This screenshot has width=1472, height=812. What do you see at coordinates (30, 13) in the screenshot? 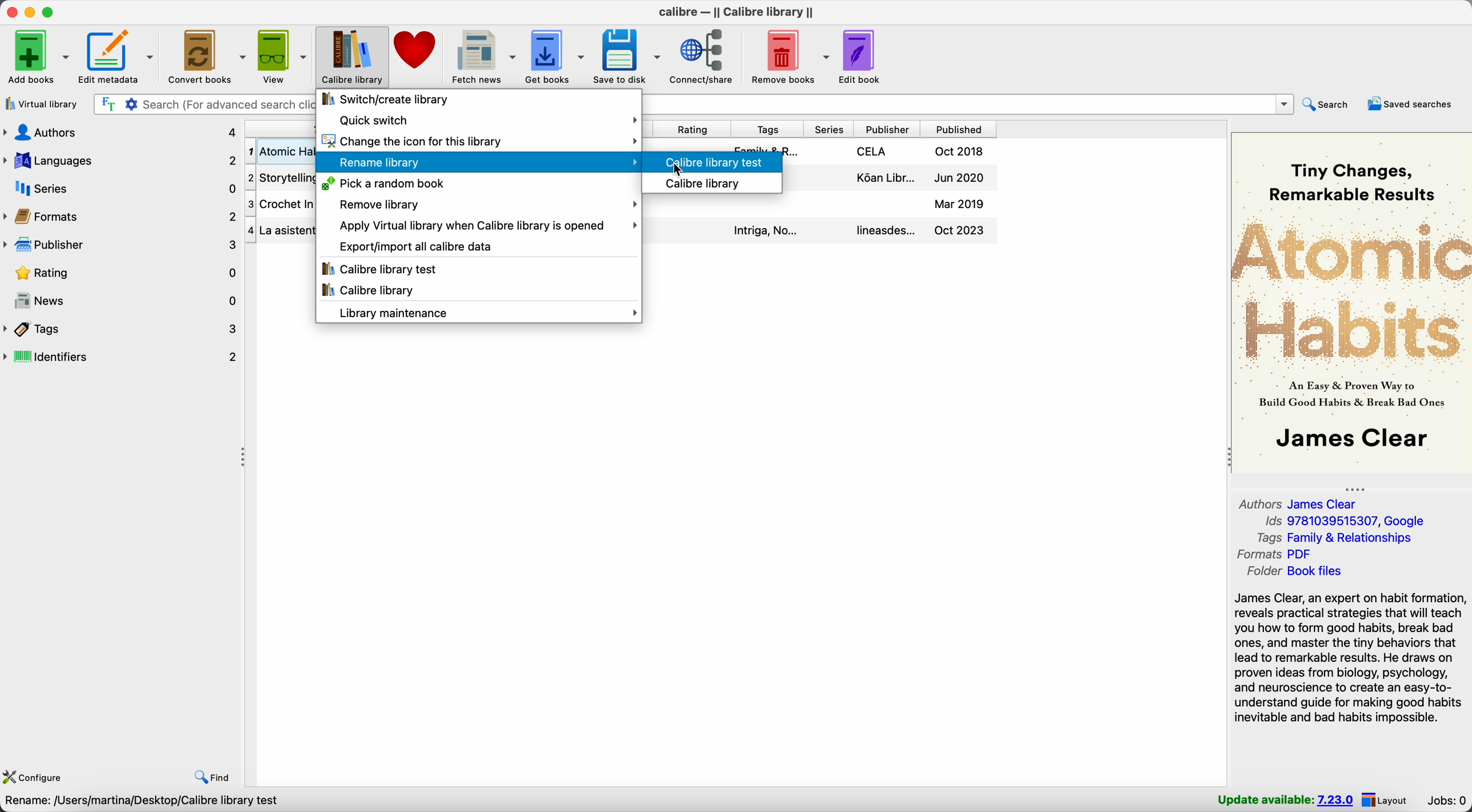
I see `minimize Calibre` at bounding box center [30, 13].